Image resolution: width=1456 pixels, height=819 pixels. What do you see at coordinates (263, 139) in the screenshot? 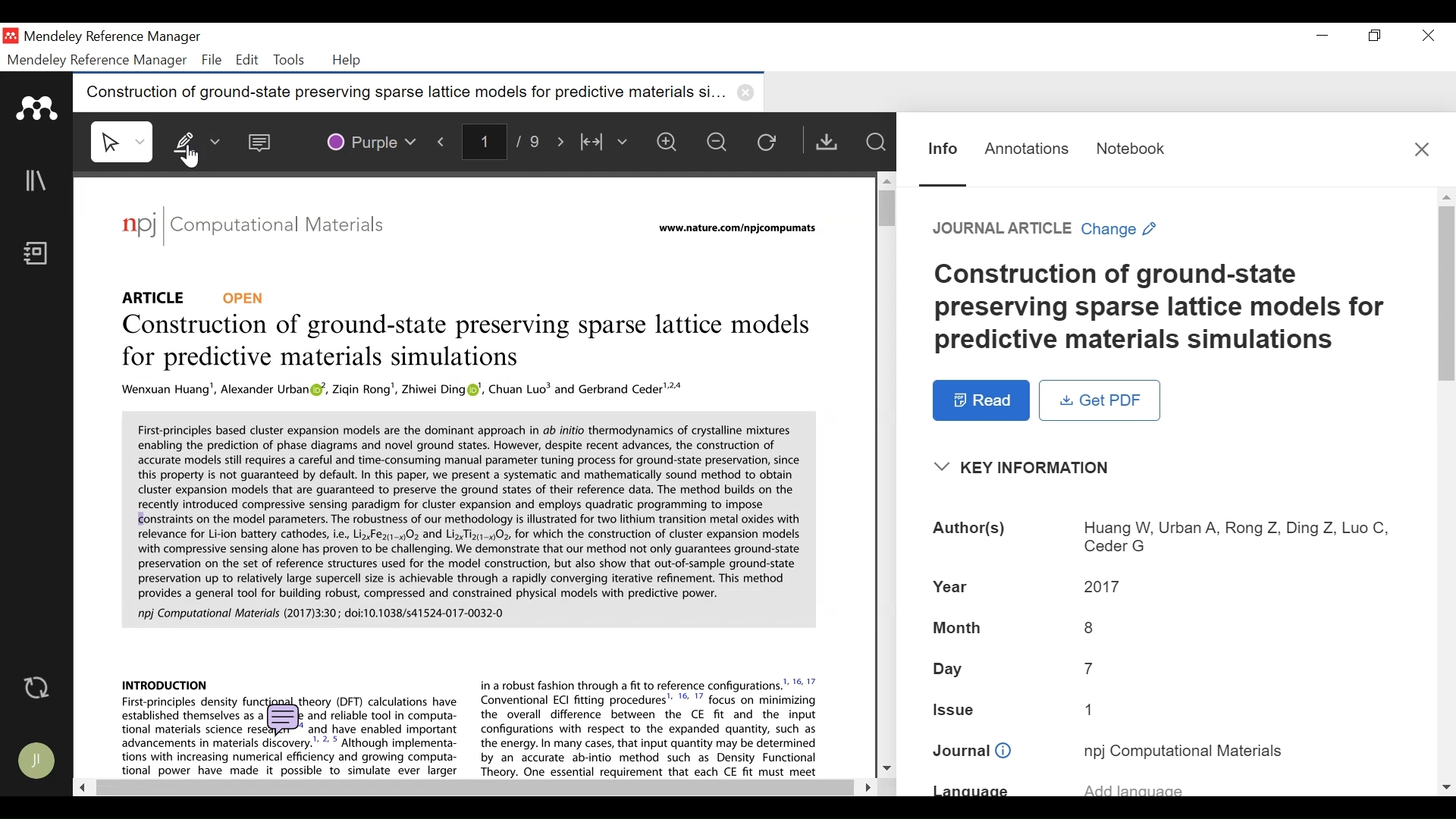
I see `Sticky Note` at bounding box center [263, 139].